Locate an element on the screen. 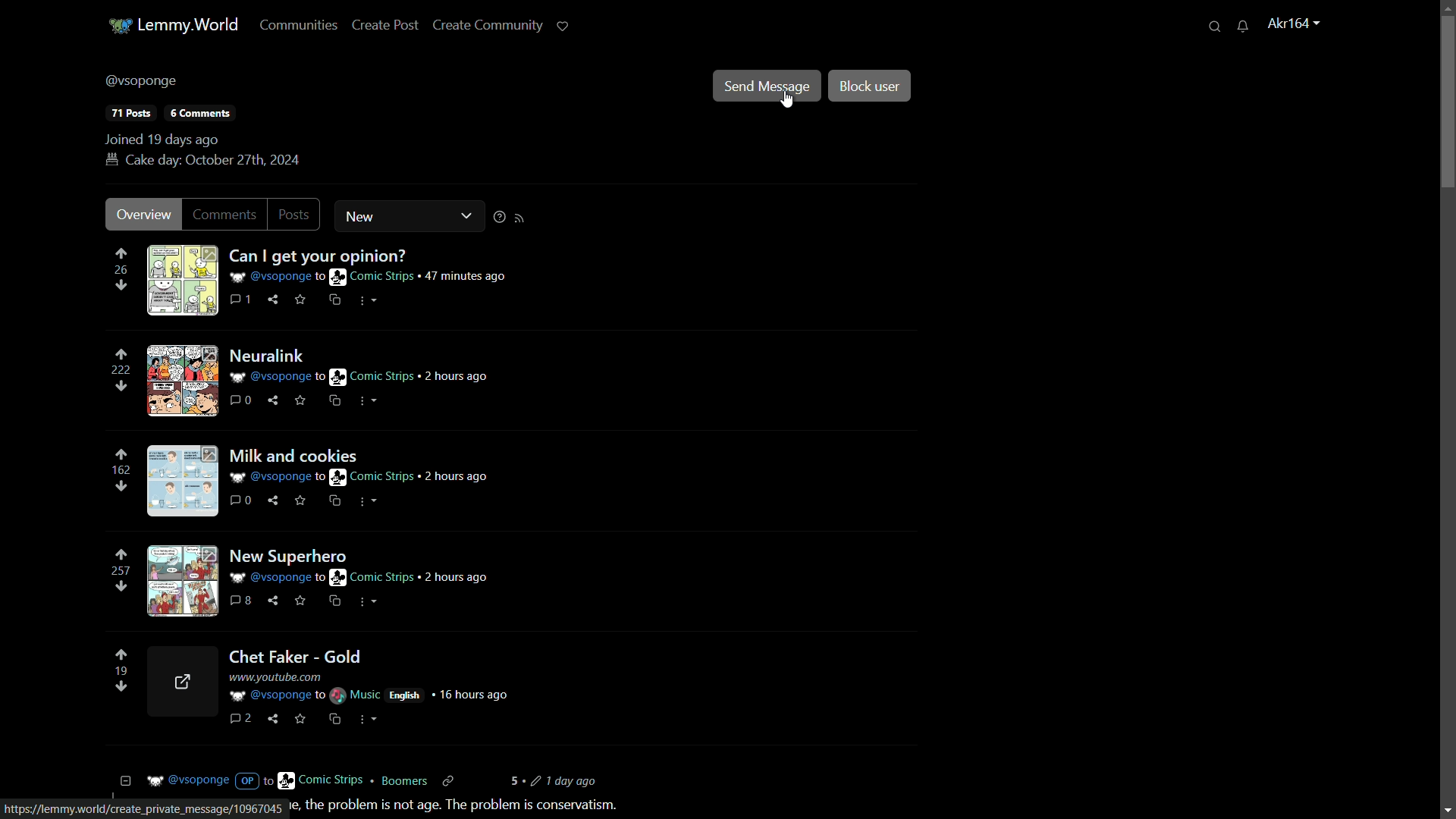  downvote is located at coordinates (117, 687).